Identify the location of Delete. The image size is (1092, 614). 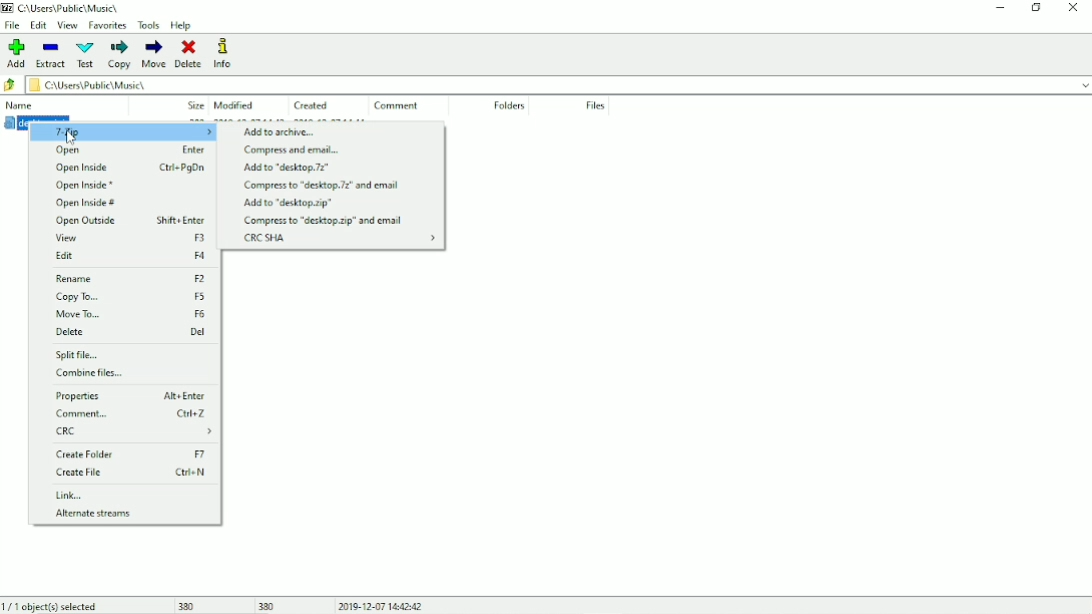
(130, 332).